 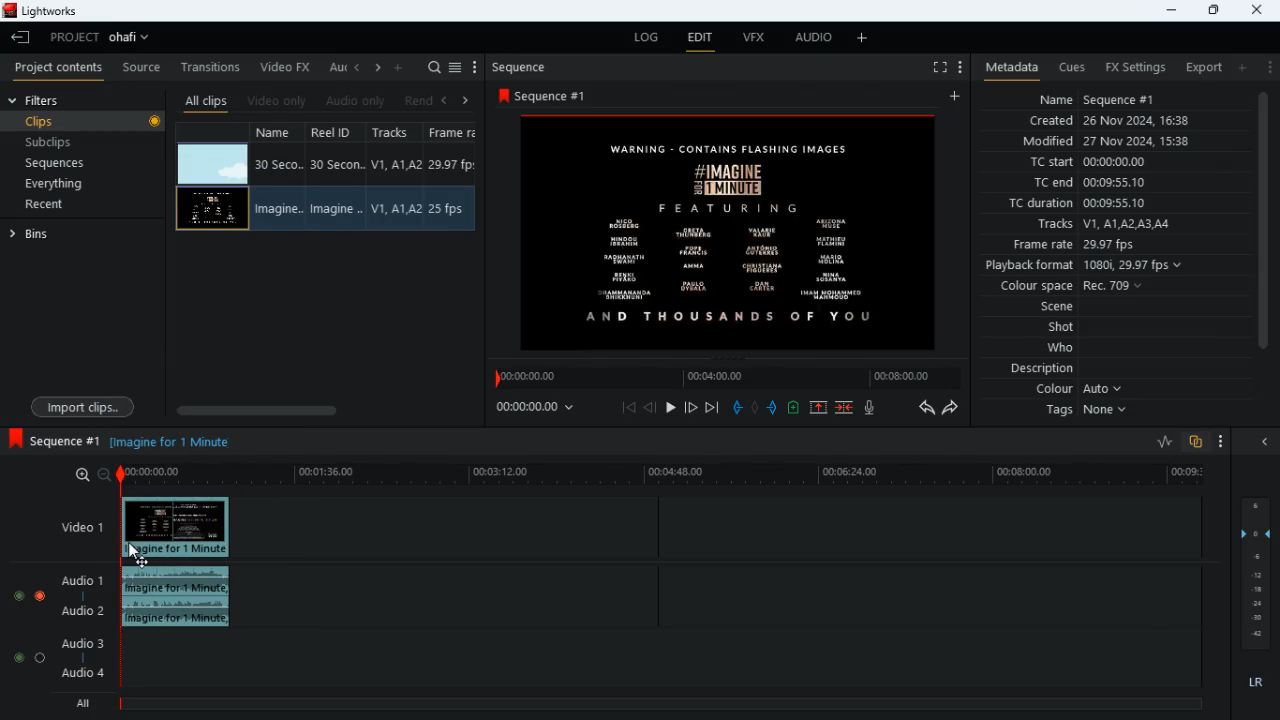 What do you see at coordinates (86, 405) in the screenshot?
I see `import clips` at bounding box center [86, 405].